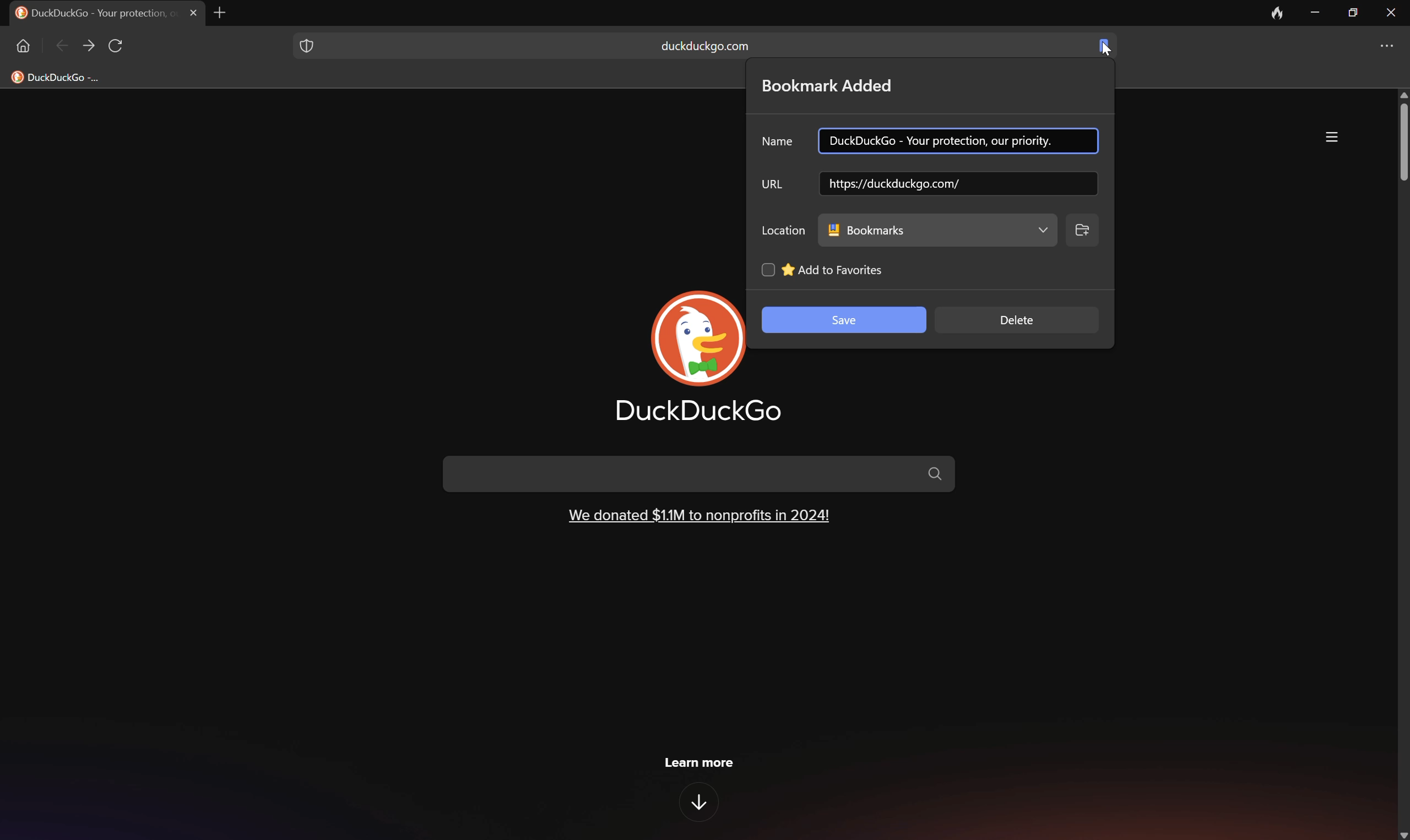 The image size is (1410, 840). Describe the element at coordinates (63, 48) in the screenshot. I see `Previous` at that location.